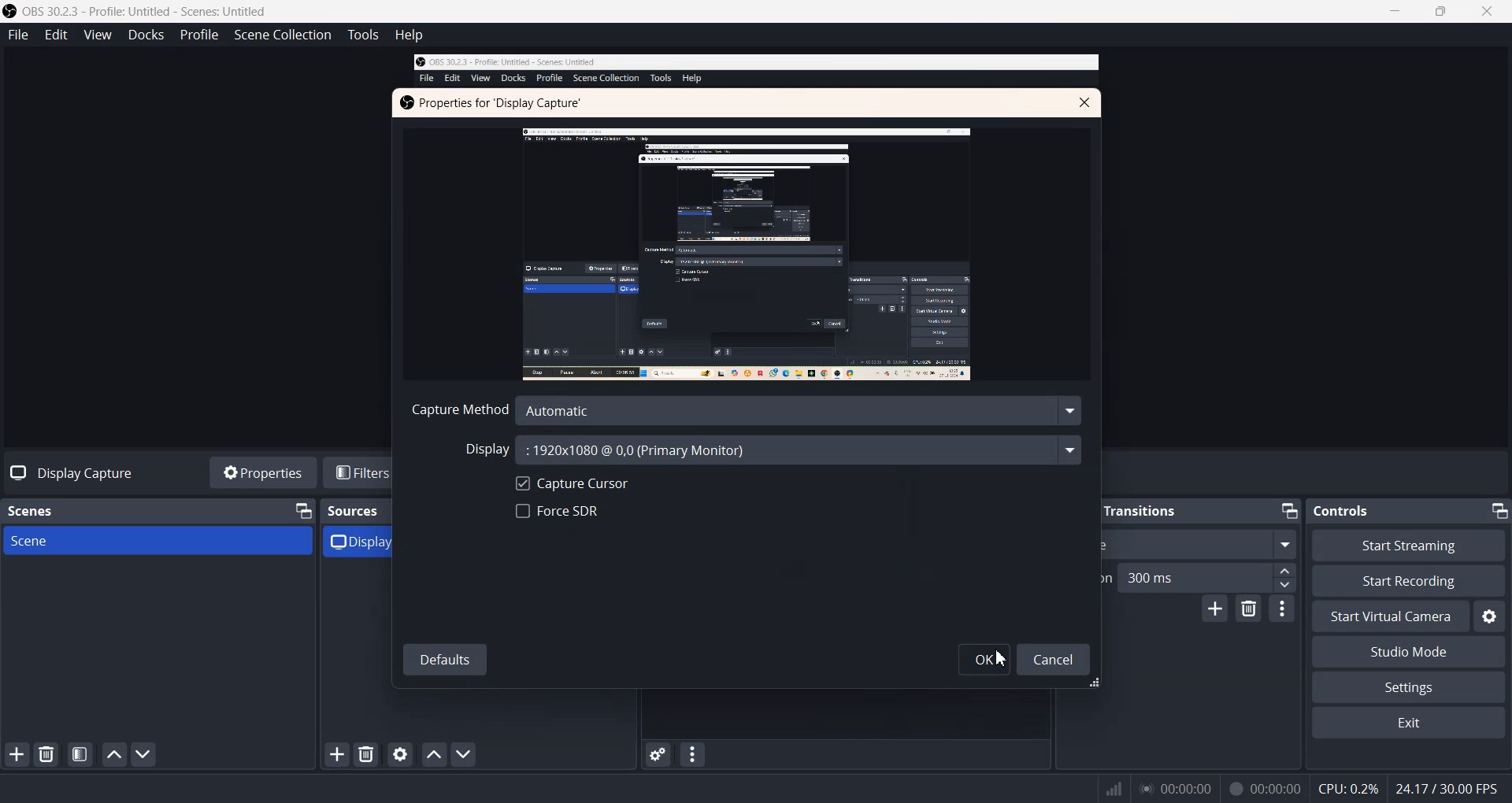 The width and height of the screenshot is (1512, 803). I want to click on Scene Transitions, so click(1121, 510).